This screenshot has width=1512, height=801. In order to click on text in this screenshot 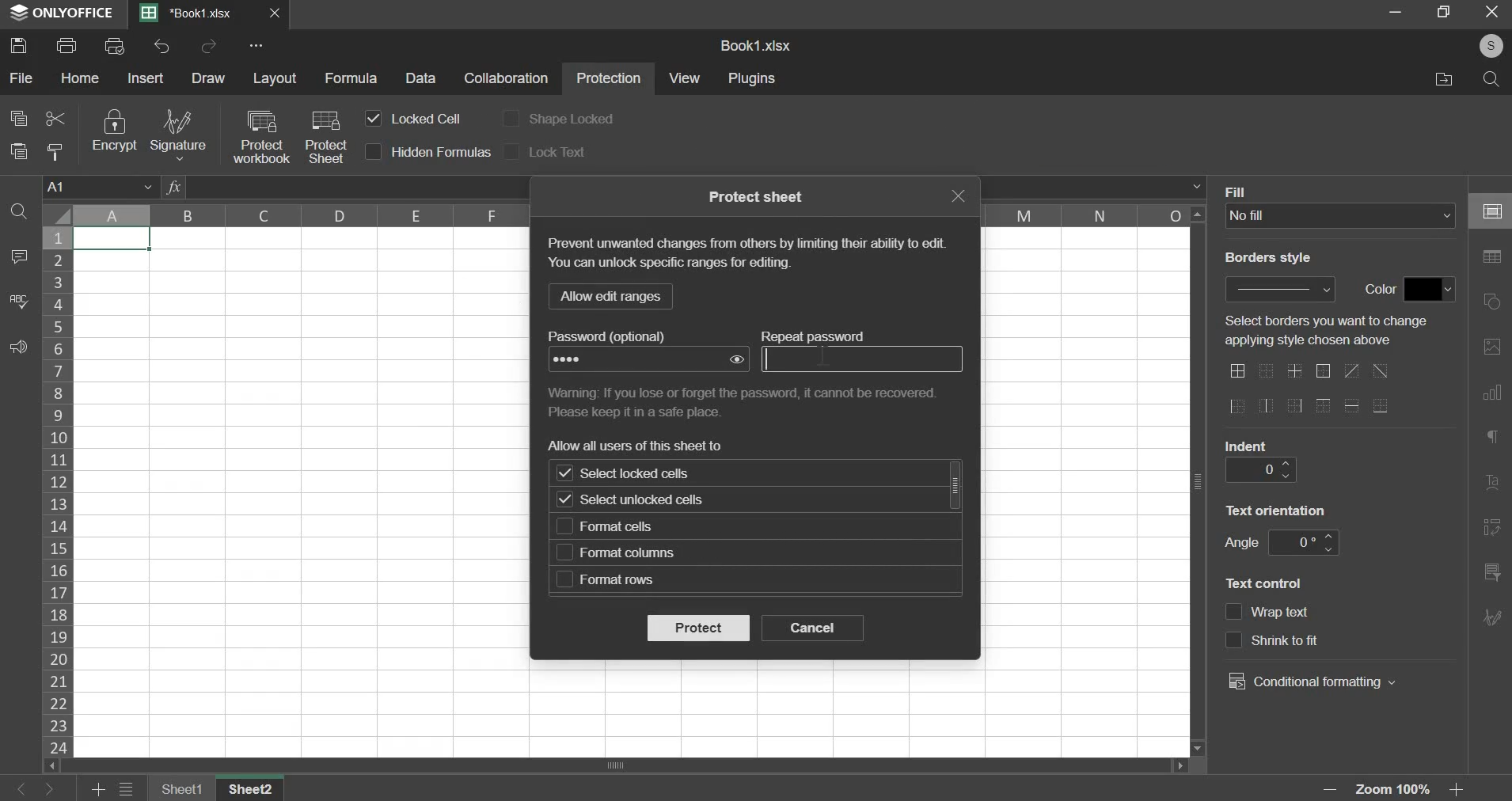, I will do `click(758, 196)`.